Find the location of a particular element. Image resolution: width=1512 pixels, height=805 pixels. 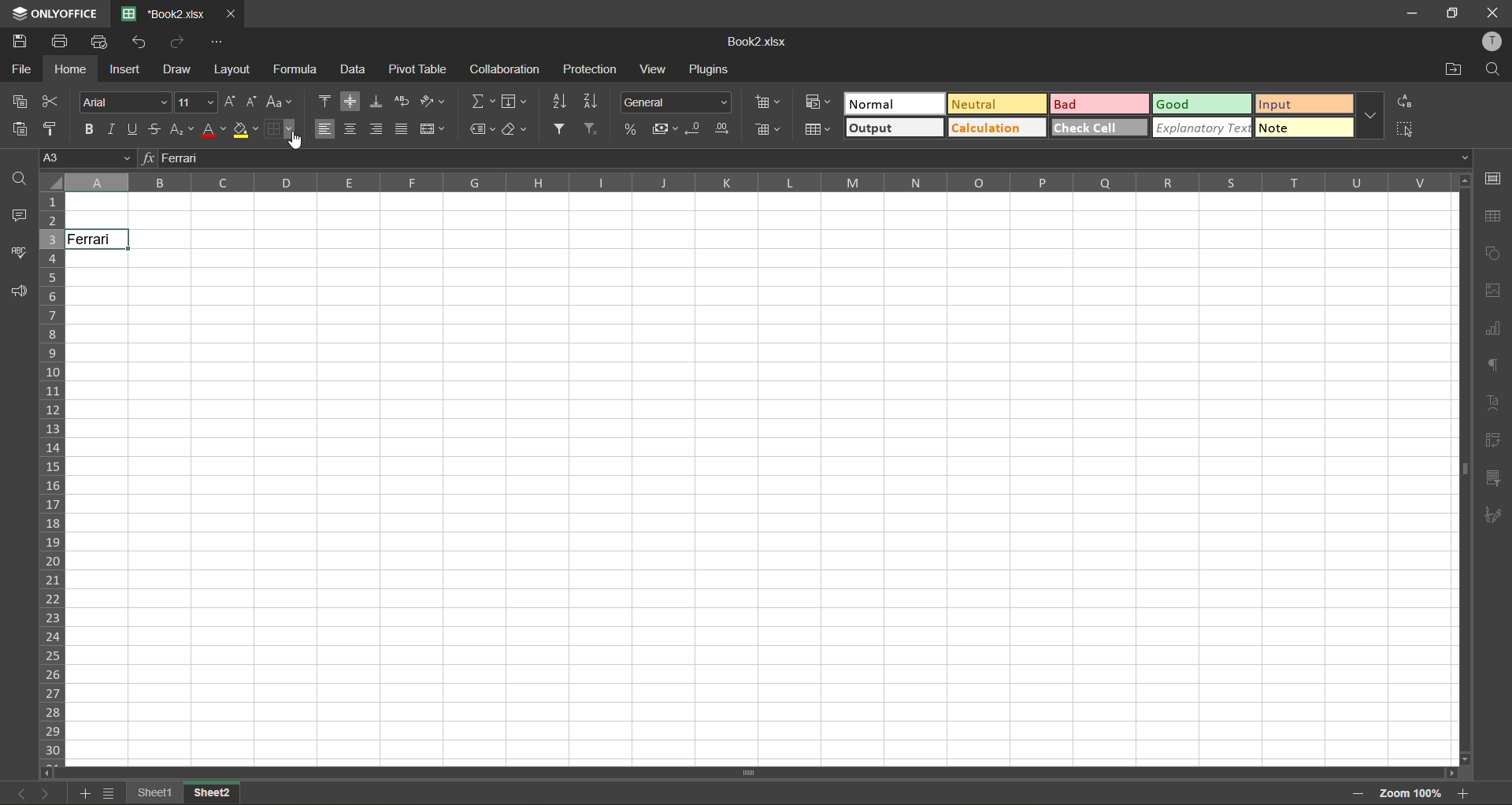

percent is located at coordinates (629, 129).